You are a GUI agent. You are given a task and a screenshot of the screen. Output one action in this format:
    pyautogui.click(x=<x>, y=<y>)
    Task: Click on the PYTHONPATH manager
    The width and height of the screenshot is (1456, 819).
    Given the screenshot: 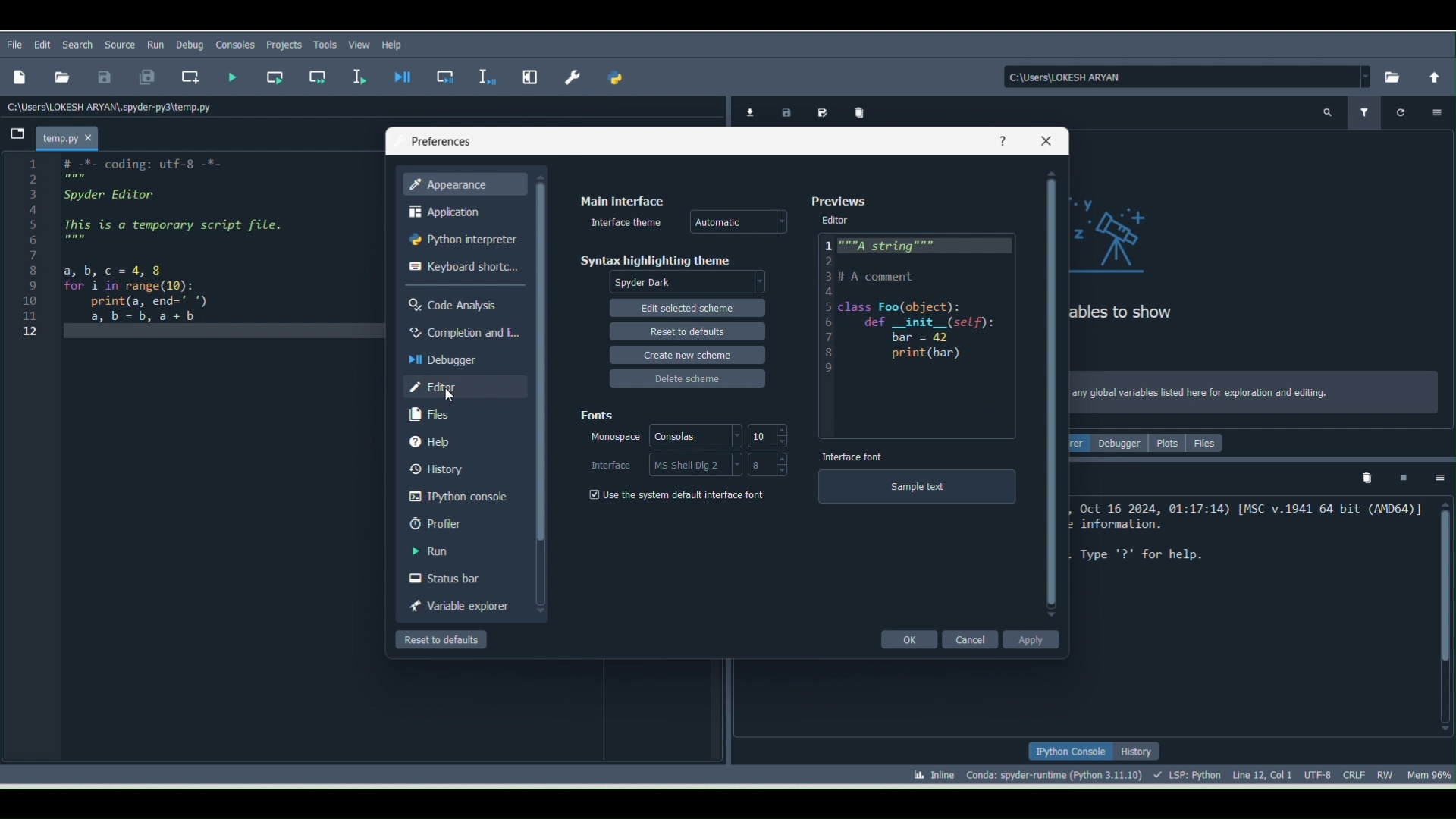 What is the action you would take?
    pyautogui.click(x=619, y=81)
    